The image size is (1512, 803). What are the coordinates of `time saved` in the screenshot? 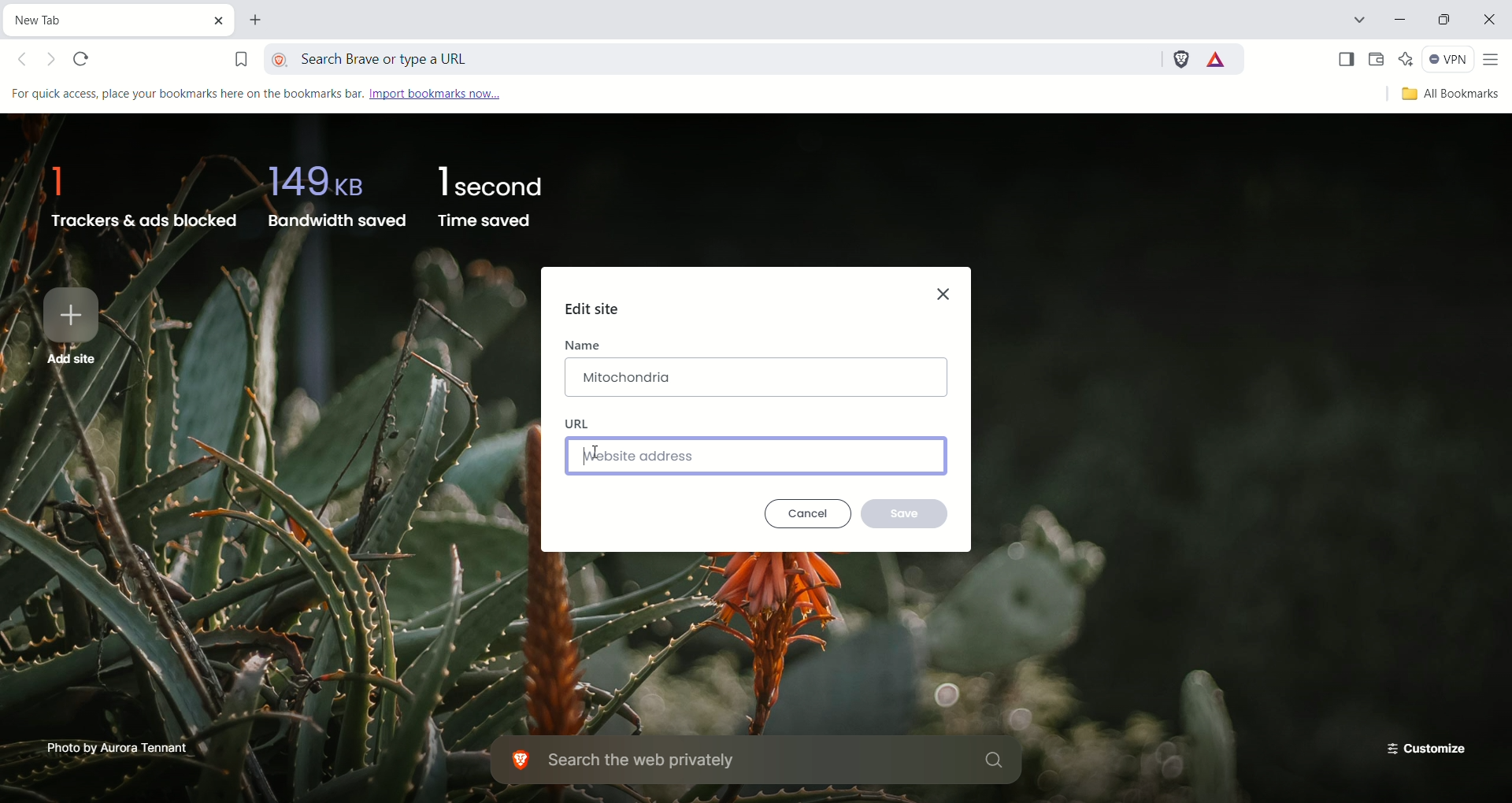 It's located at (494, 197).